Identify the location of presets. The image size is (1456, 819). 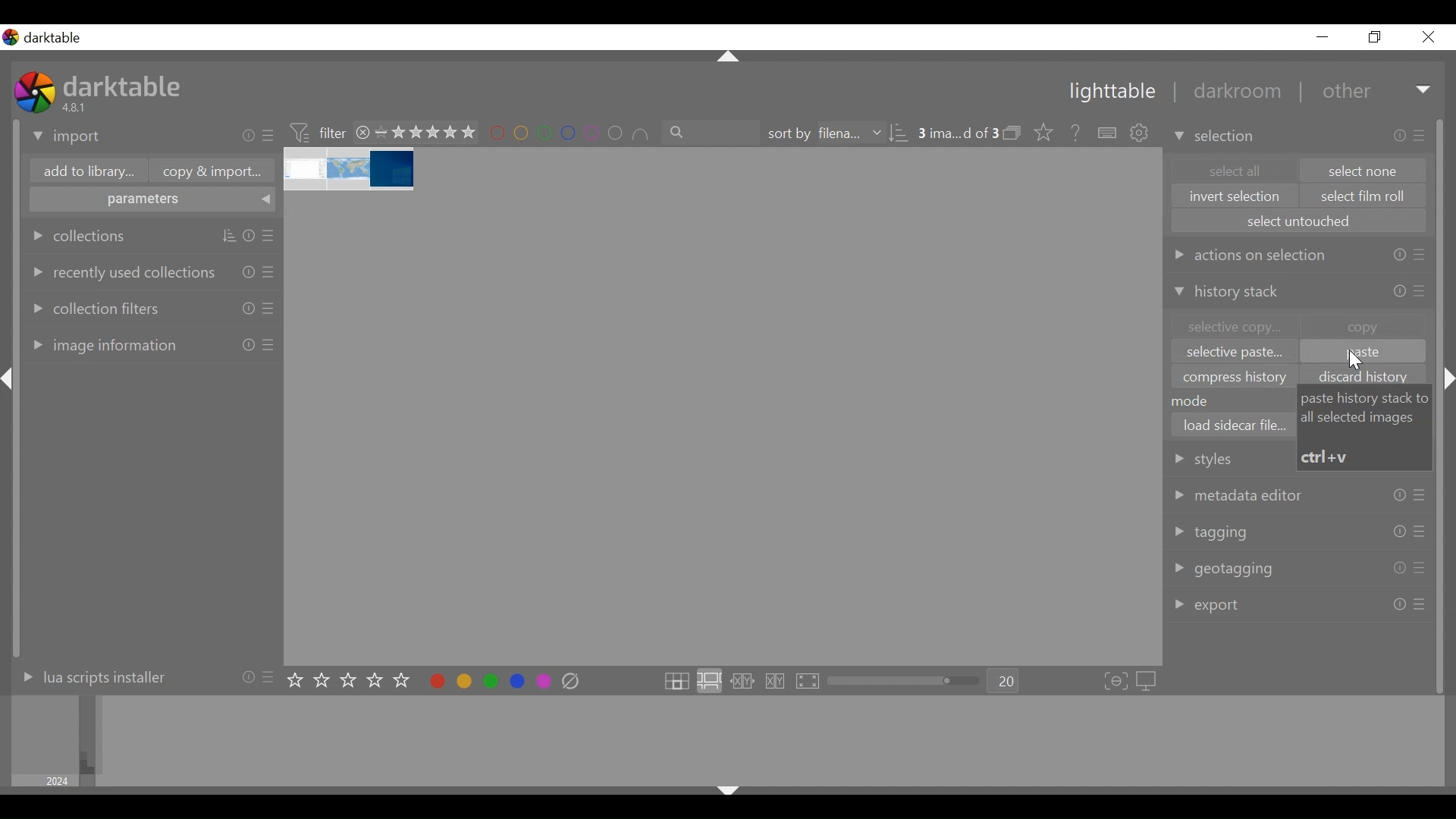
(1420, 531).